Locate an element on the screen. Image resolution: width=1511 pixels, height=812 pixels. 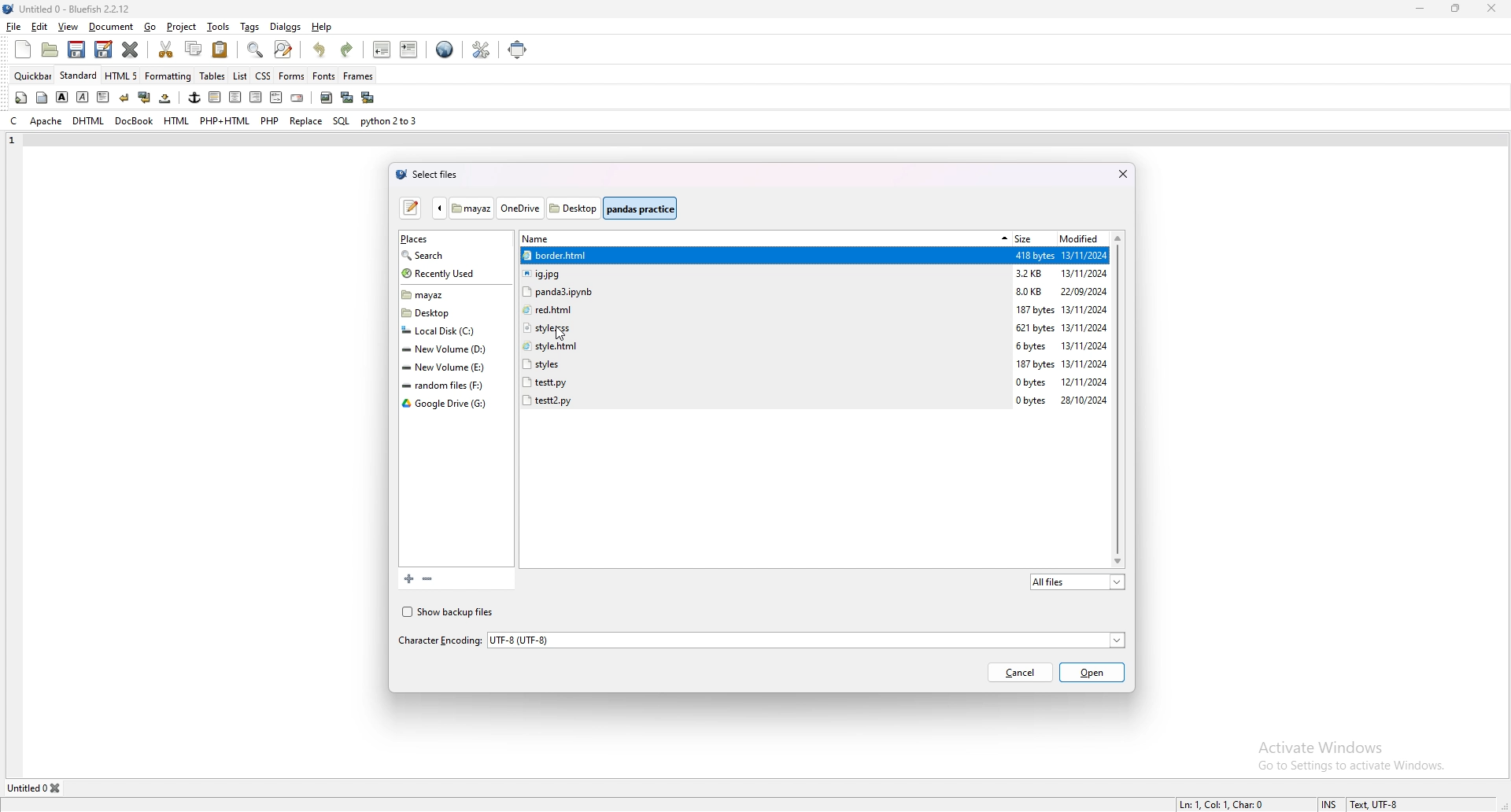
python 2to3 is located at coordinates (390, 120).